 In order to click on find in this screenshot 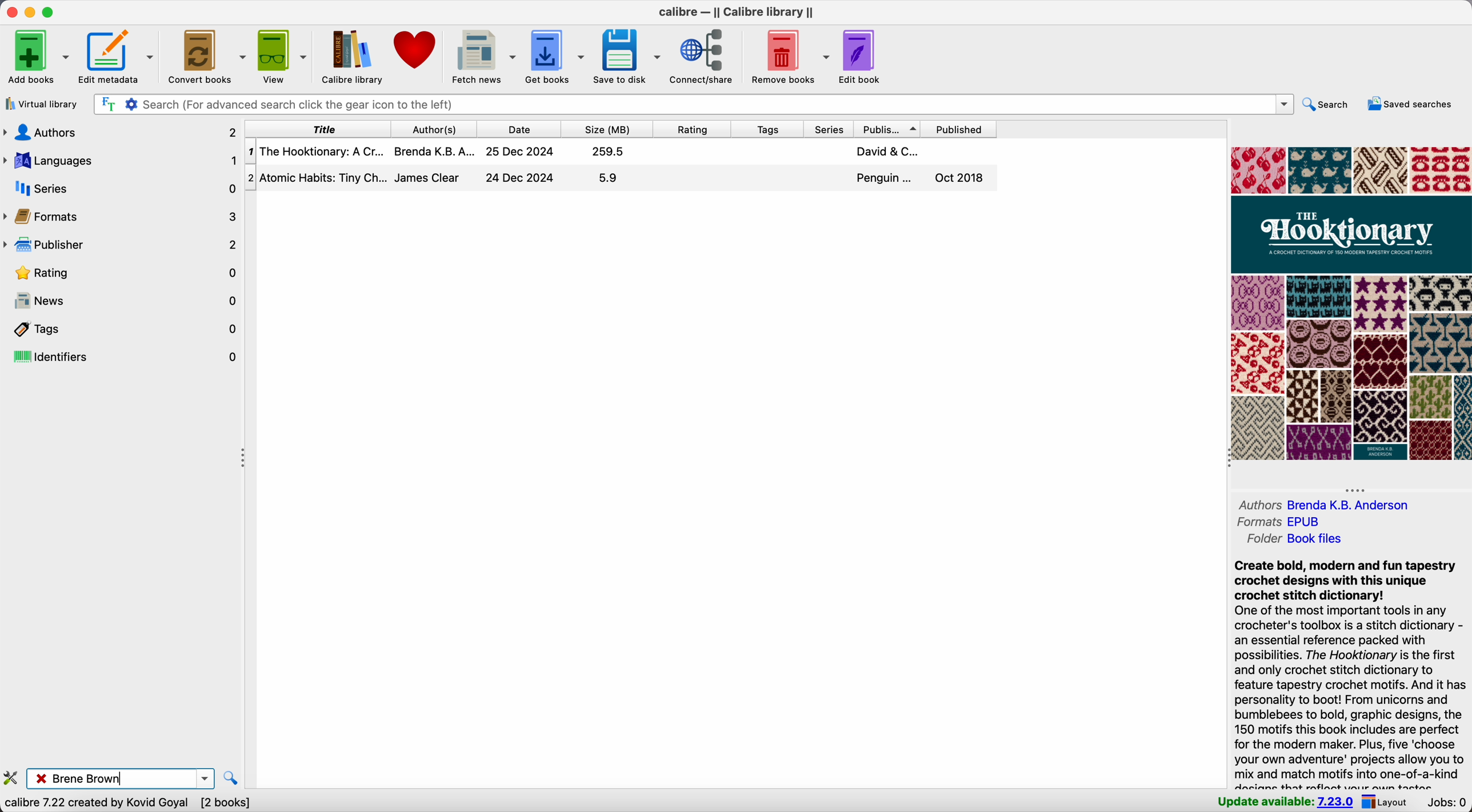, I will do `click(233, 778)`.